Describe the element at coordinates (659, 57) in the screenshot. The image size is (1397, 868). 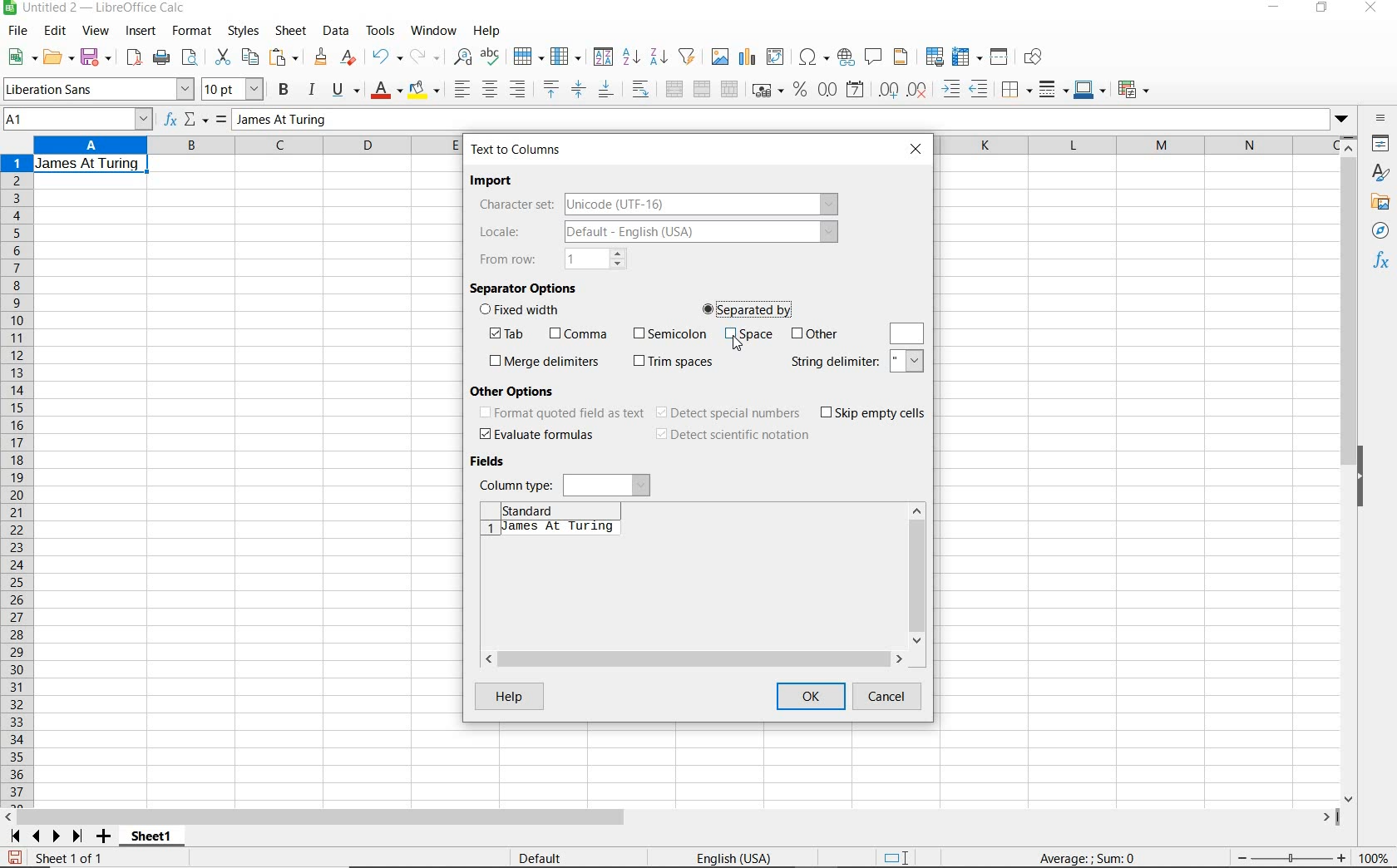
I see `sort descending` at that location.